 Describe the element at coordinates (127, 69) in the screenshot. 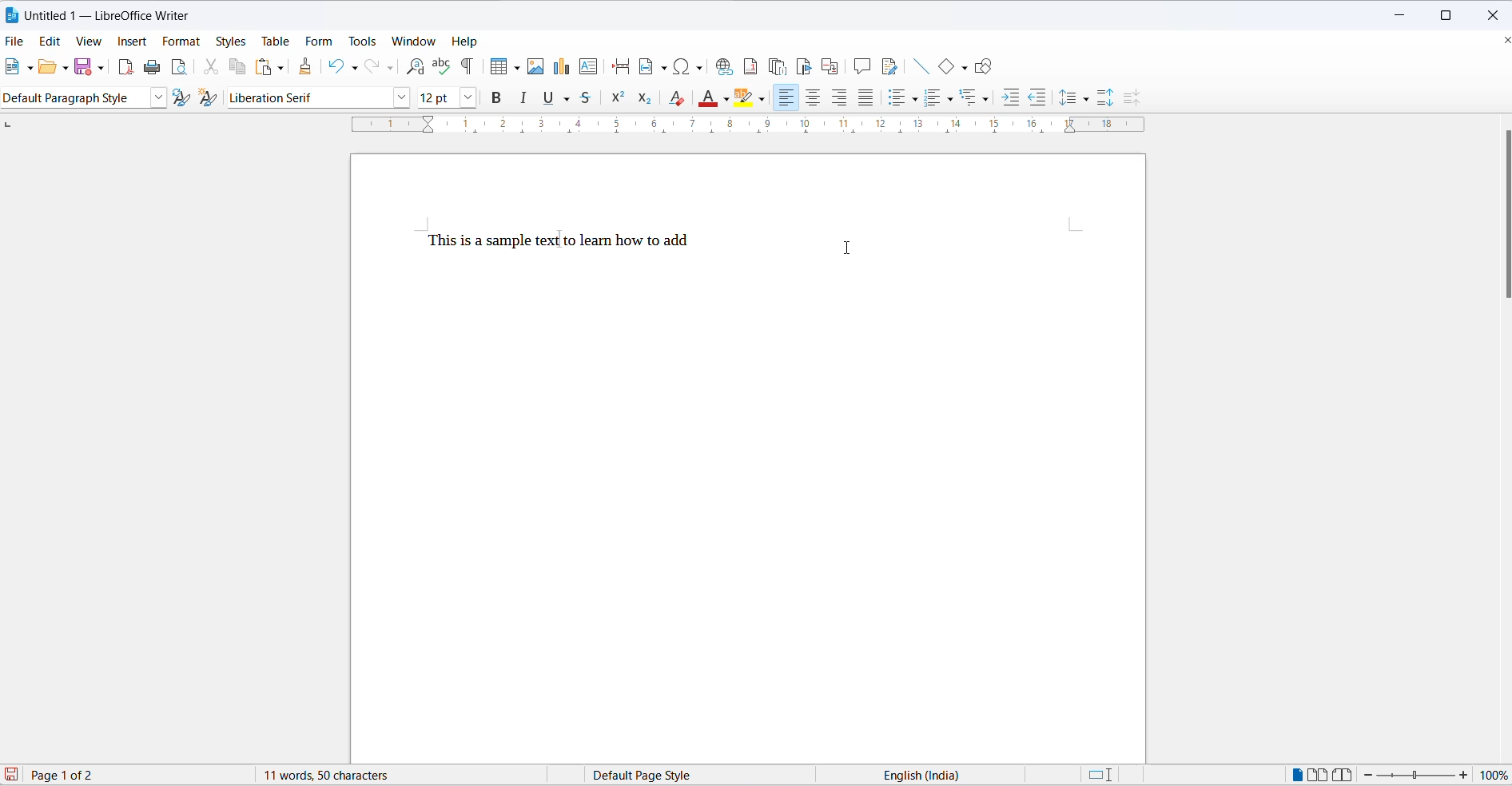

I see `export as pdf` at that location.